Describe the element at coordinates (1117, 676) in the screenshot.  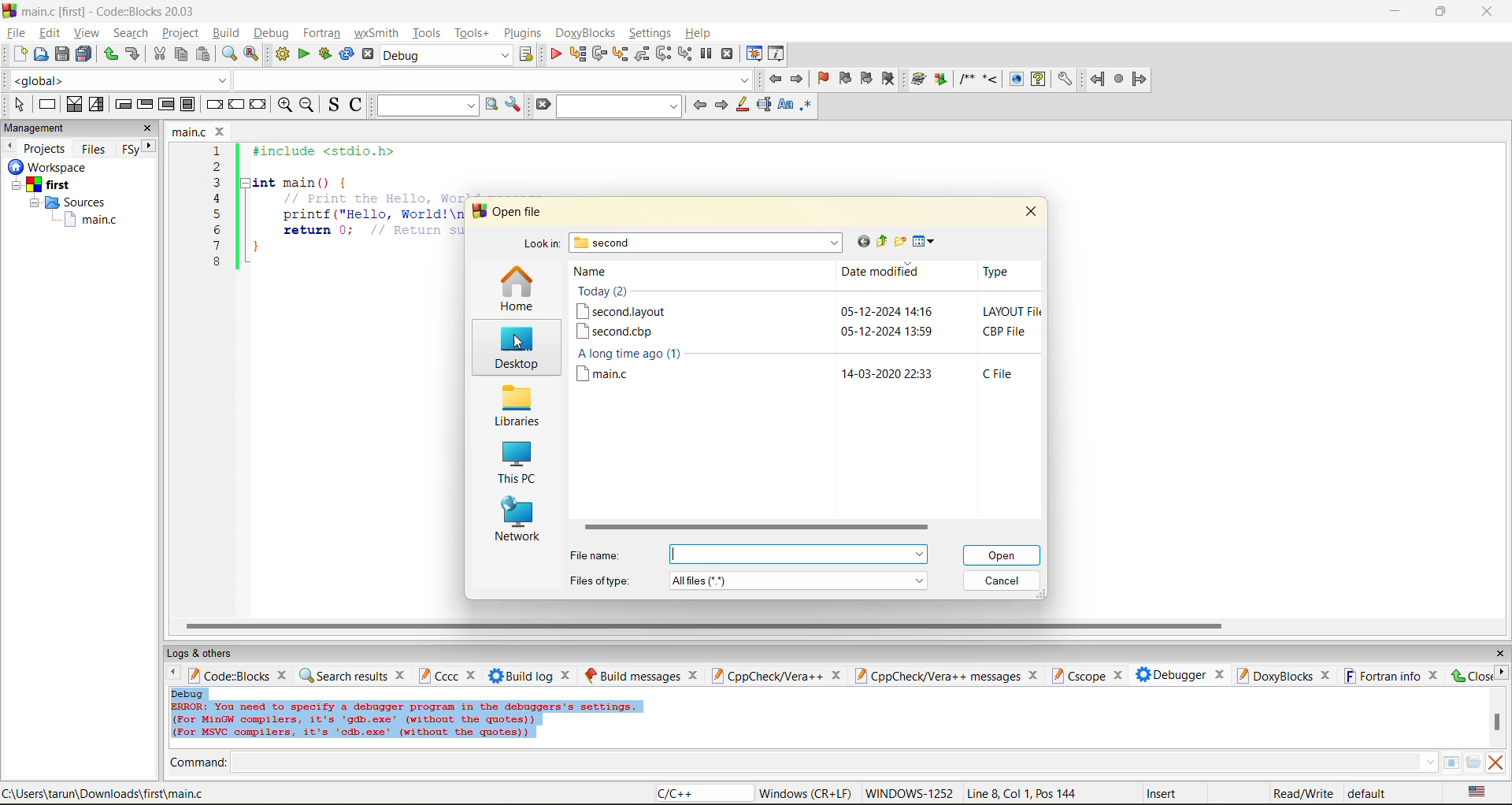
I see `close` at that location.